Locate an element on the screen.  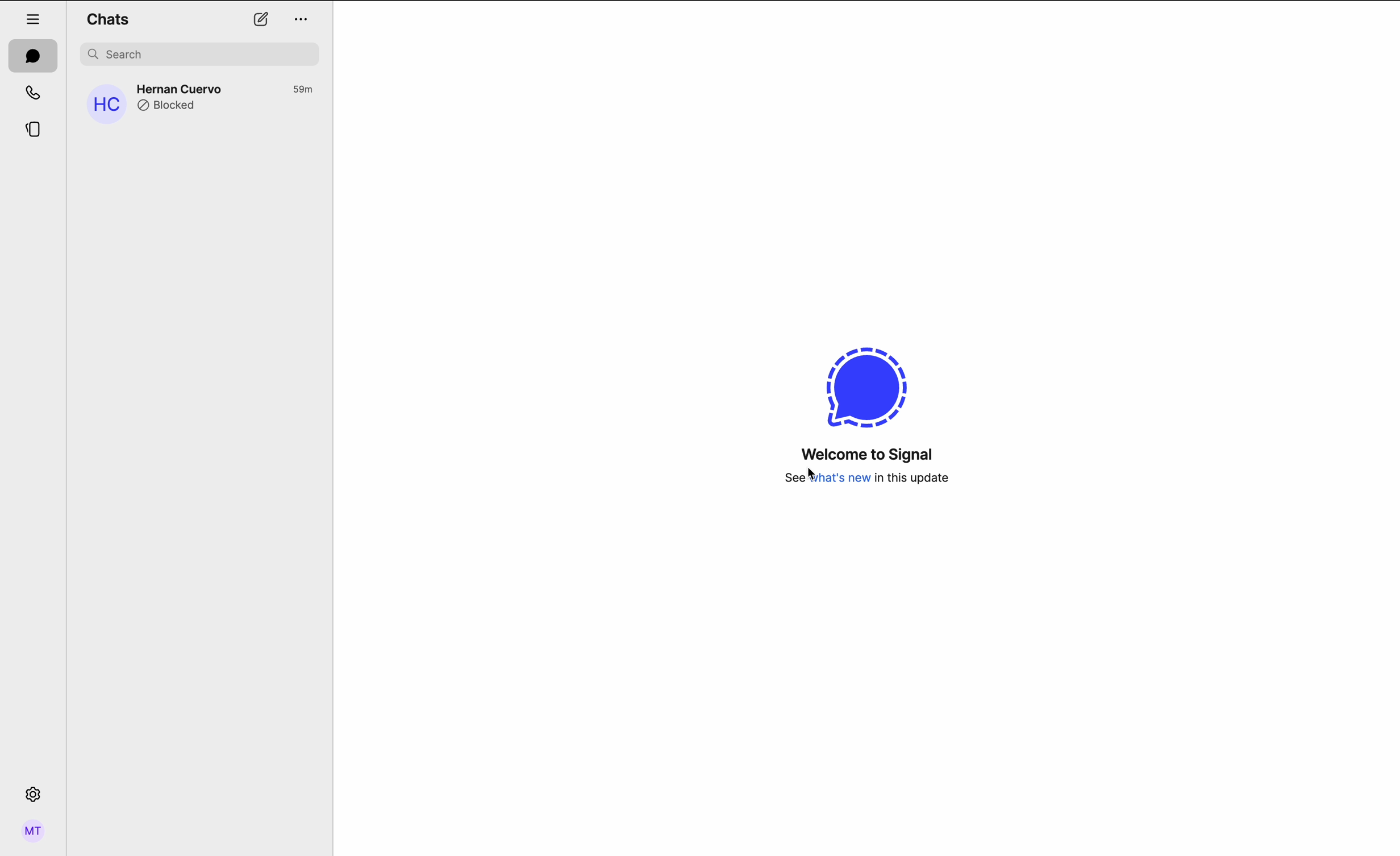
chats is located at coordinates (33, 56).